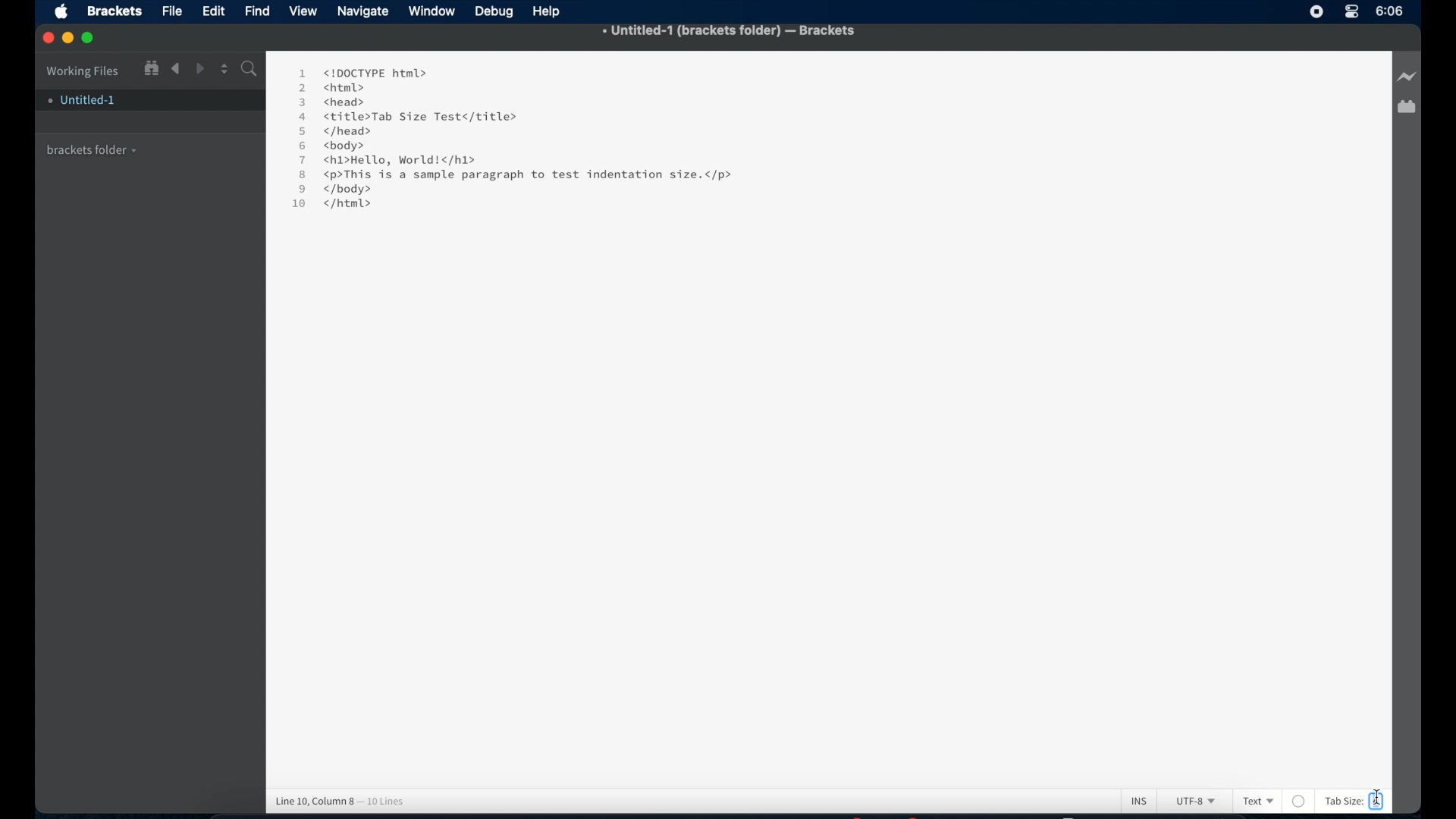 Image resolution: width=1456 pixels, height=819 pixels. I want to click on . Untitled-1 (brackets folder) - Brackets, so click(730, 32).